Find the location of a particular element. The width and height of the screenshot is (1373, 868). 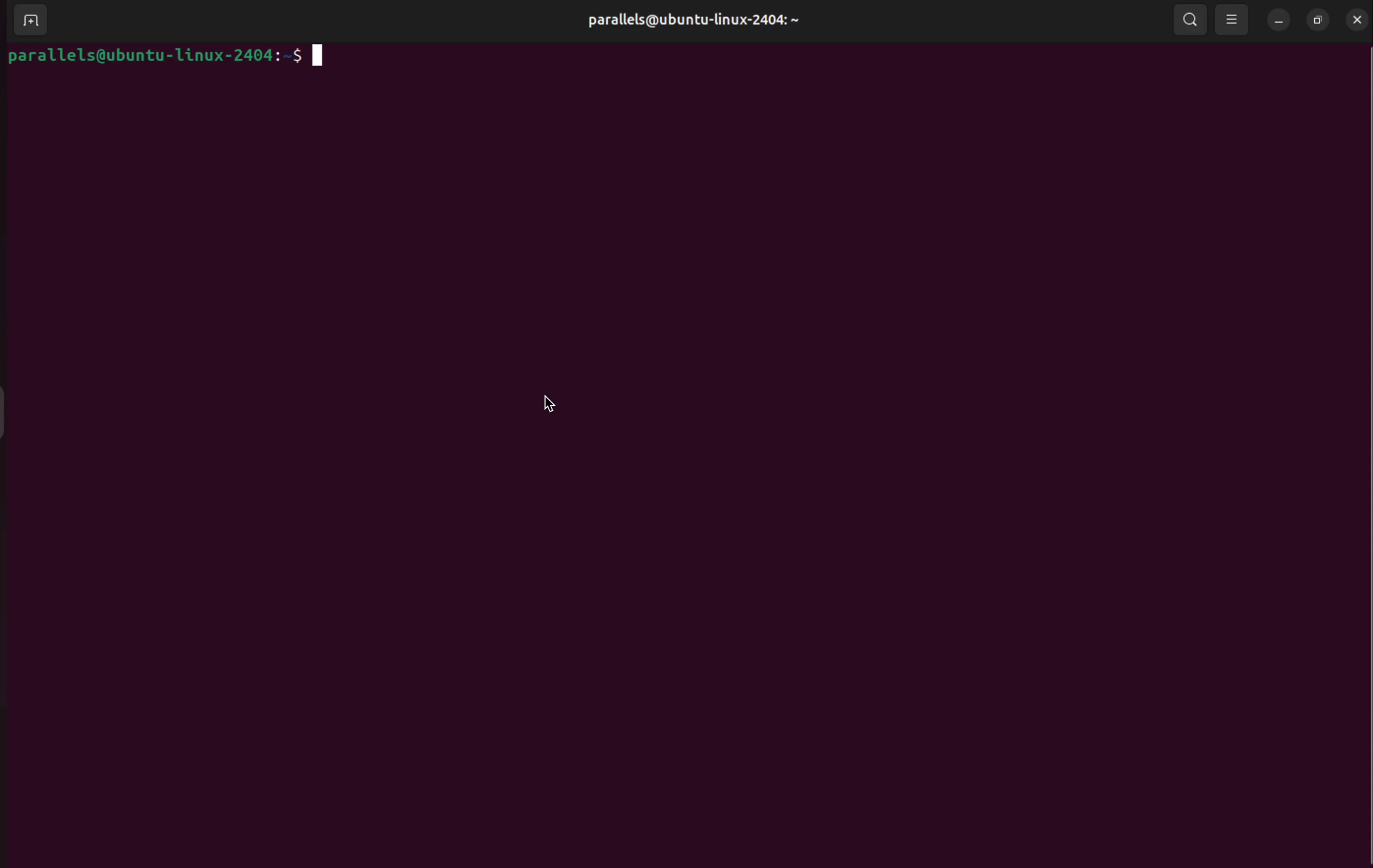

view options is located at coordinates (1233, 18).